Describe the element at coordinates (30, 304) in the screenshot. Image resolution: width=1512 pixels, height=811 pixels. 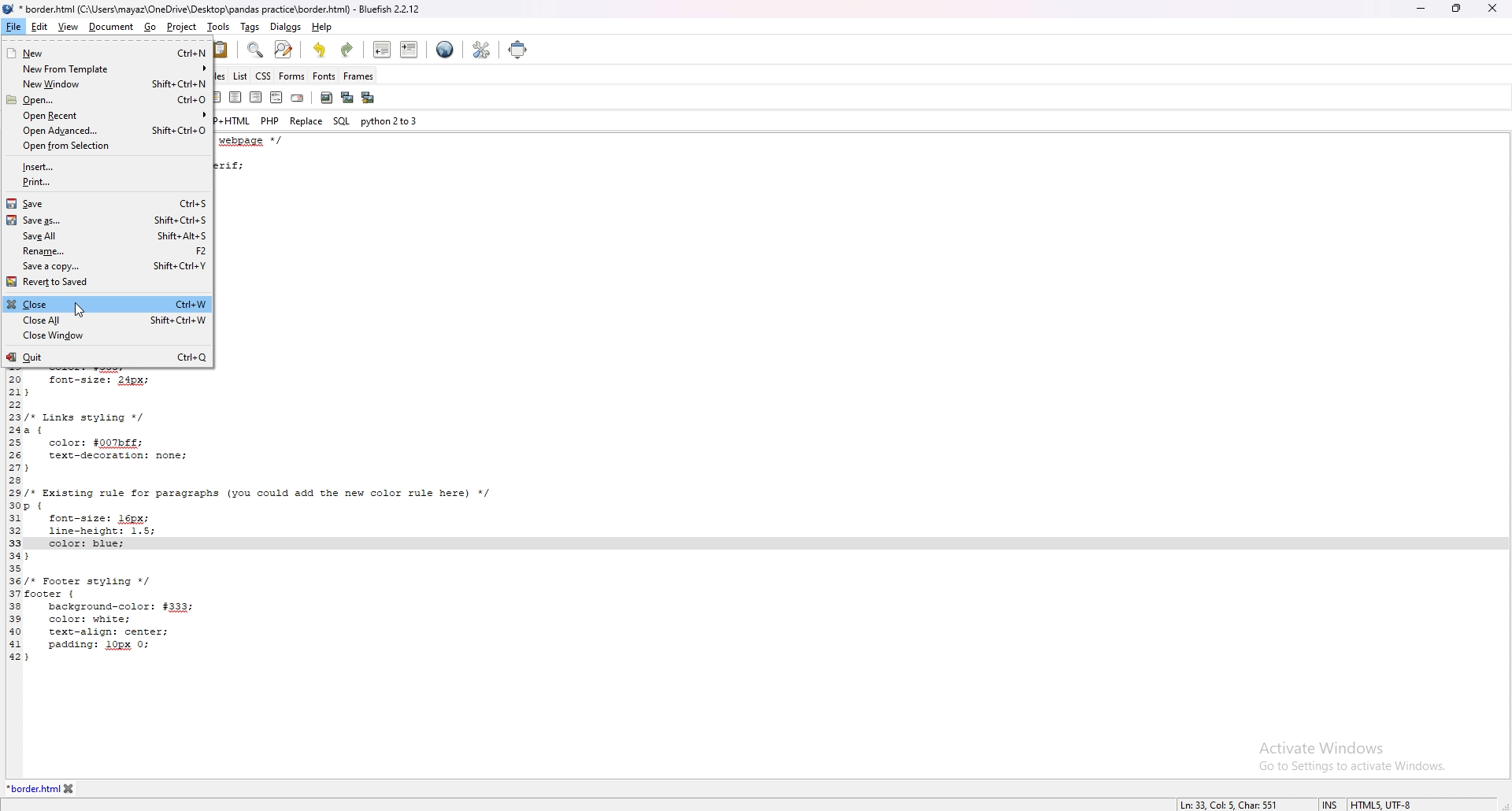
I see `close` at that location.